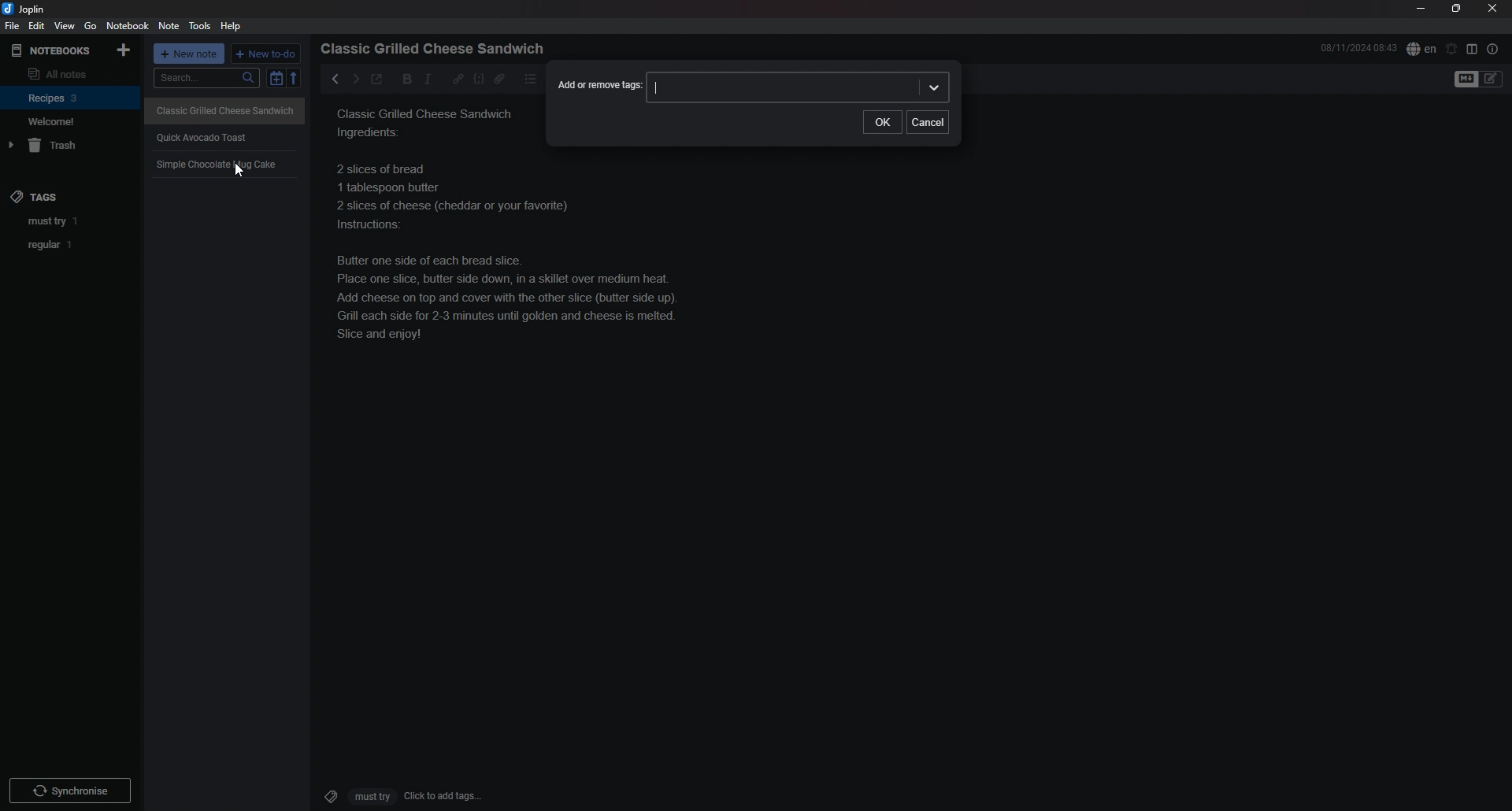 The width and height of the screenshot is (1512, 811). I want to click on note, so click(169, 27).